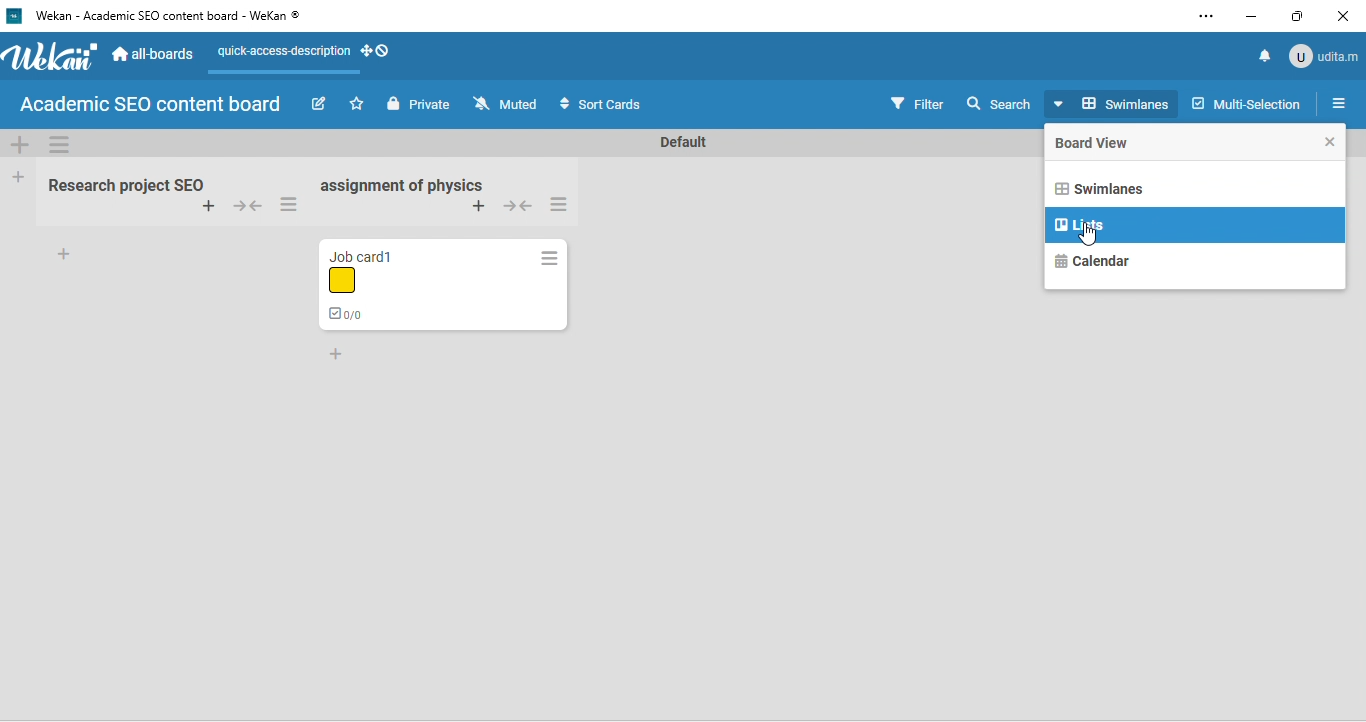  Describe the element at coordinates (682, 141) in the screenshot. I see `default` at that location.